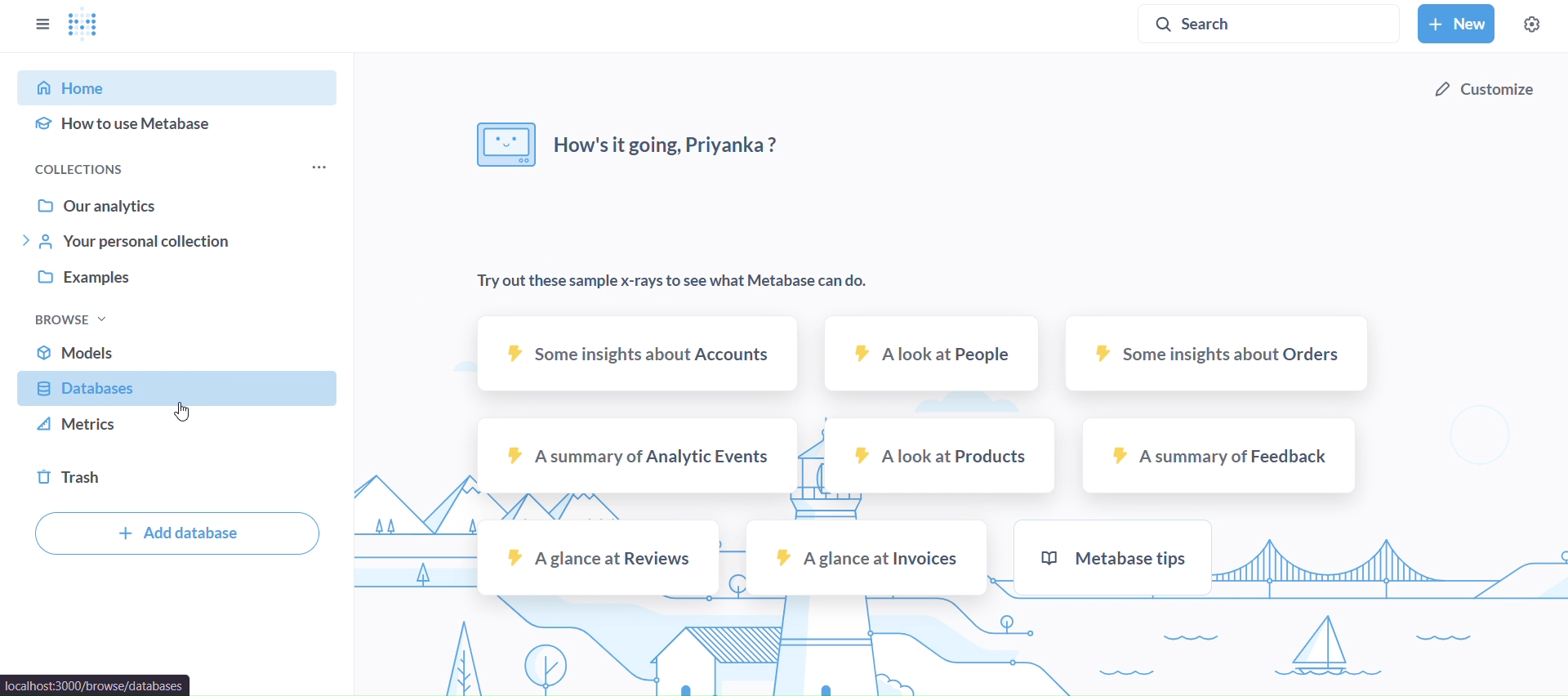 The width and height of the screenshot is (1568, 696). Describe the element at coordinates (84, 27) in the screenshot. I see `logo` at that location.